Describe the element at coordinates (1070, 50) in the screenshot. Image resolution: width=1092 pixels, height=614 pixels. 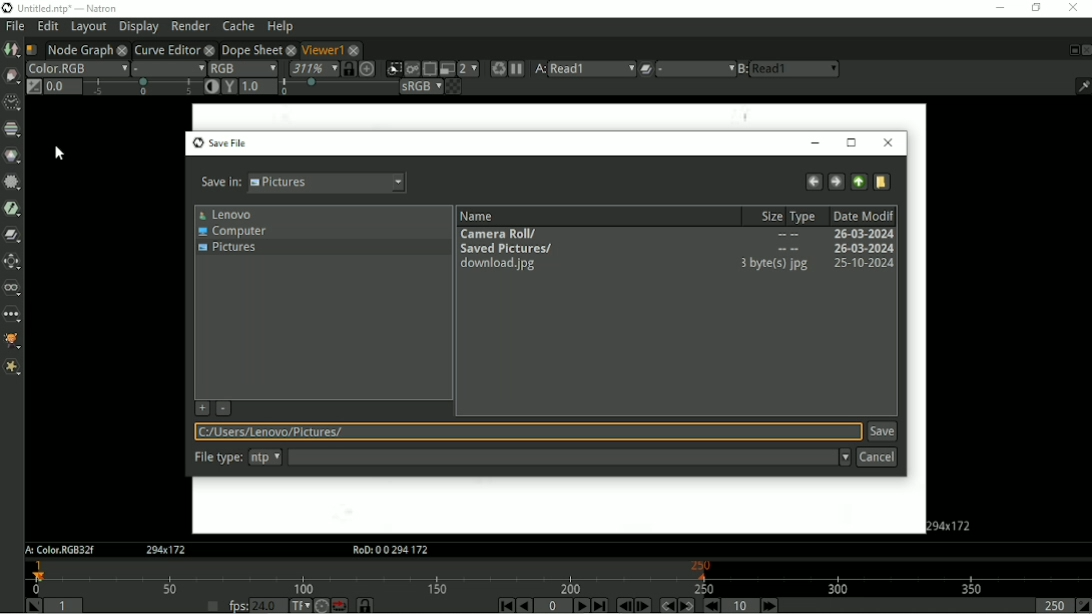
I see `Float pane` at that location.